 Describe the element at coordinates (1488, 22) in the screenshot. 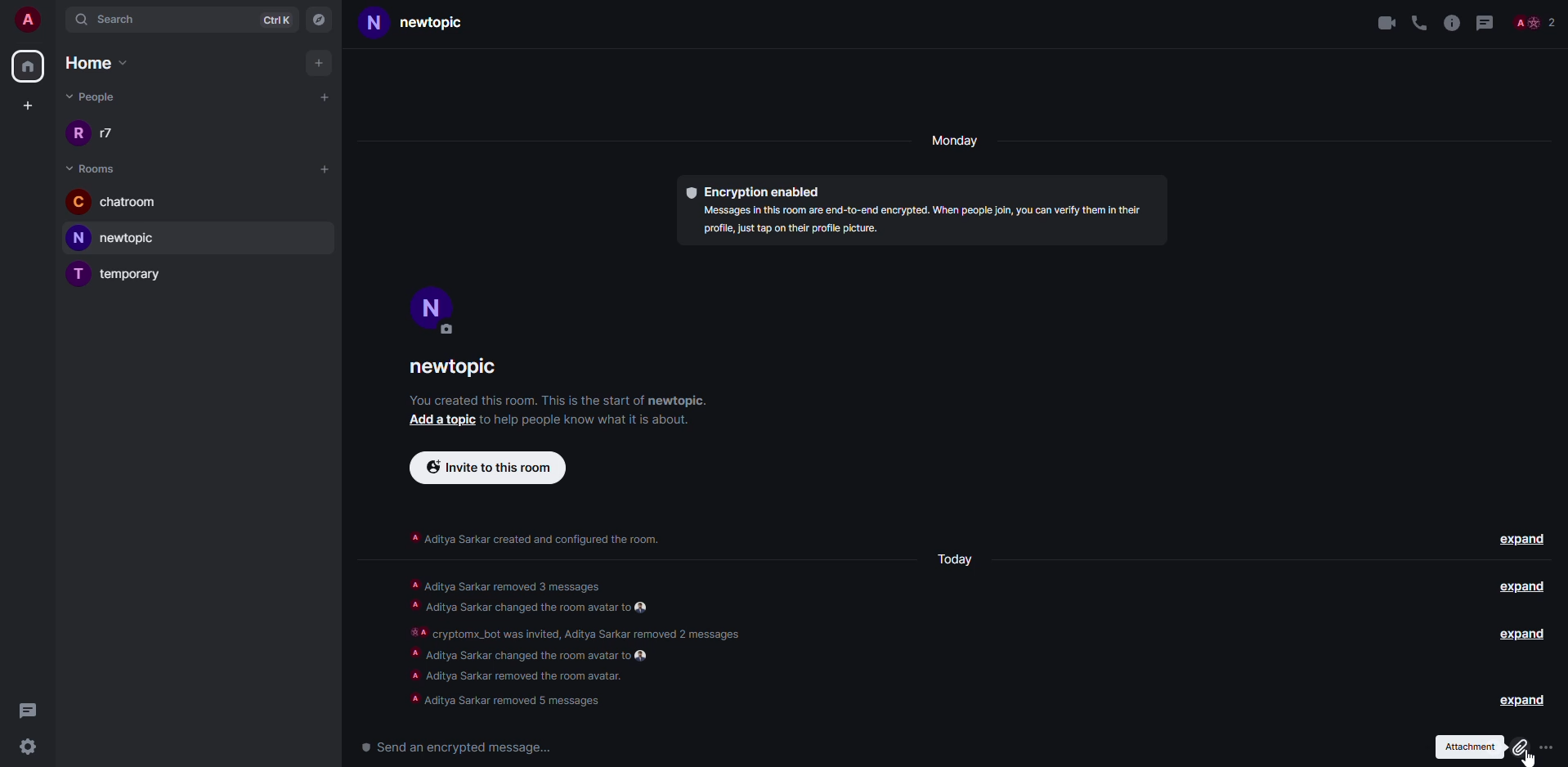

I see `threads` at that location.